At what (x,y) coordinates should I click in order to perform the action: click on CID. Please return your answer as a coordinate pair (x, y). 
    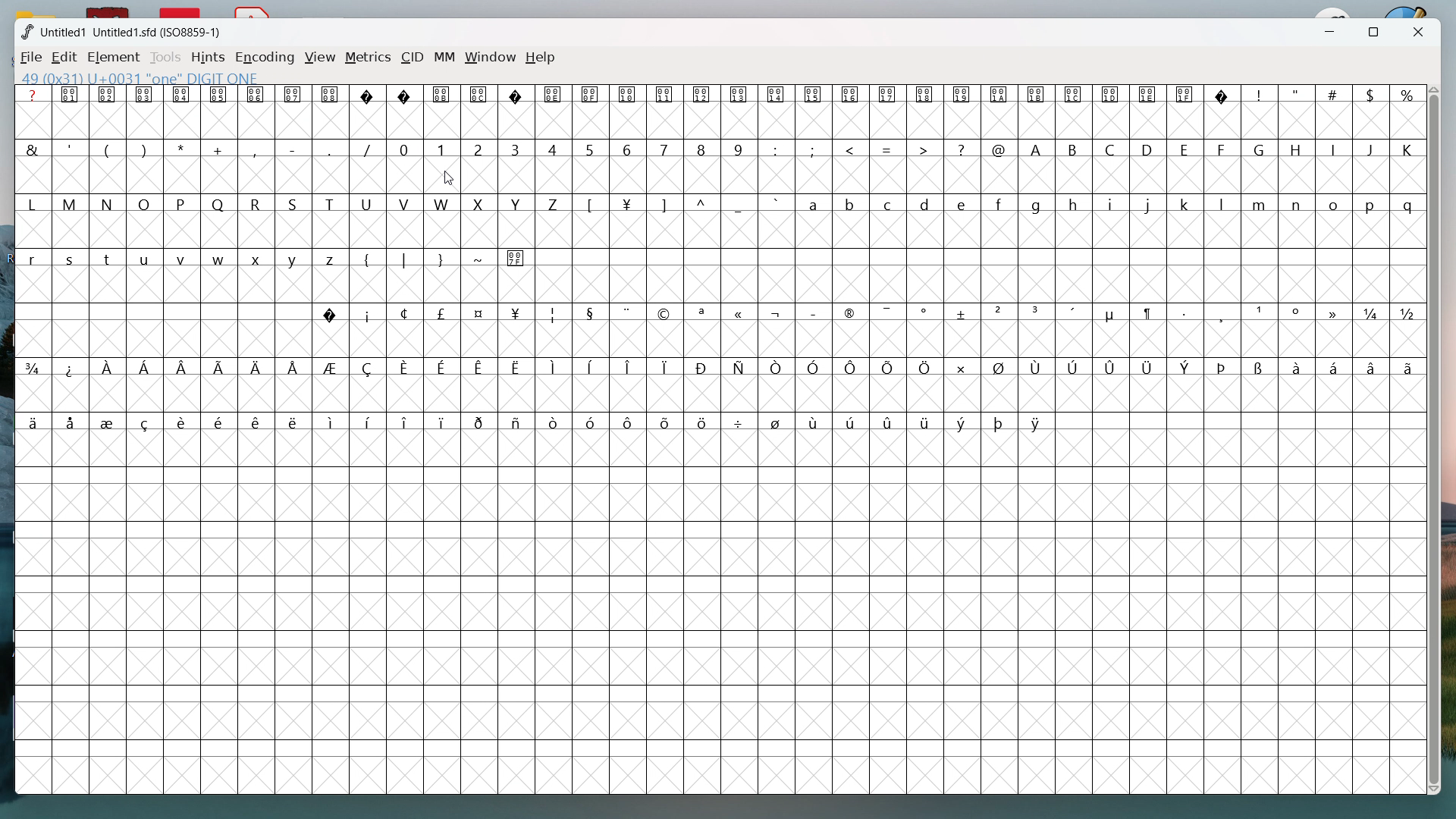
    Looking at the image, I should click on (413, 58).